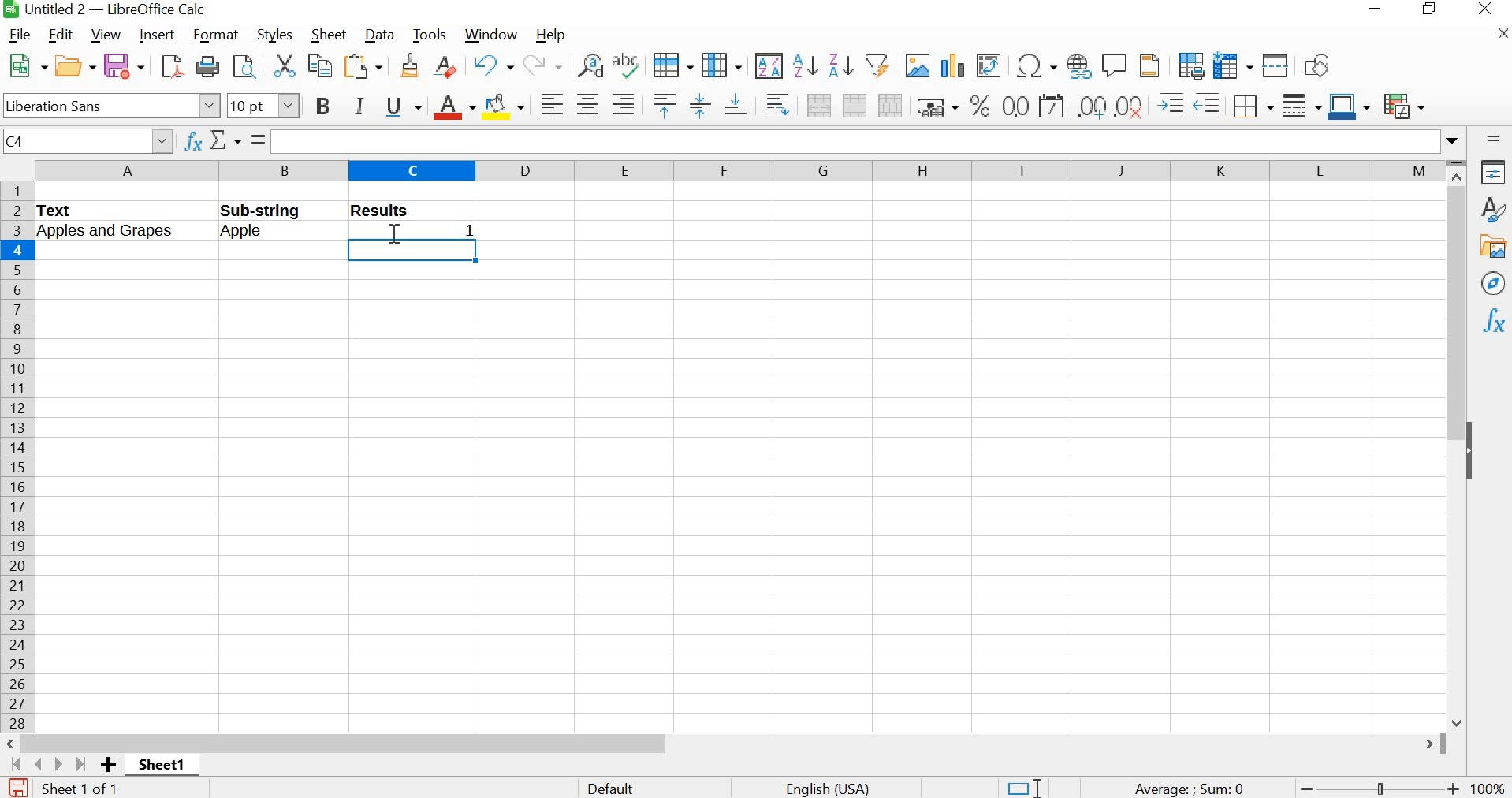 Image resolution: width=1512 pixels, height=798 pixels. Describe the element at coordinates (322, 107) in the screenshot. I see `bold` at that location.